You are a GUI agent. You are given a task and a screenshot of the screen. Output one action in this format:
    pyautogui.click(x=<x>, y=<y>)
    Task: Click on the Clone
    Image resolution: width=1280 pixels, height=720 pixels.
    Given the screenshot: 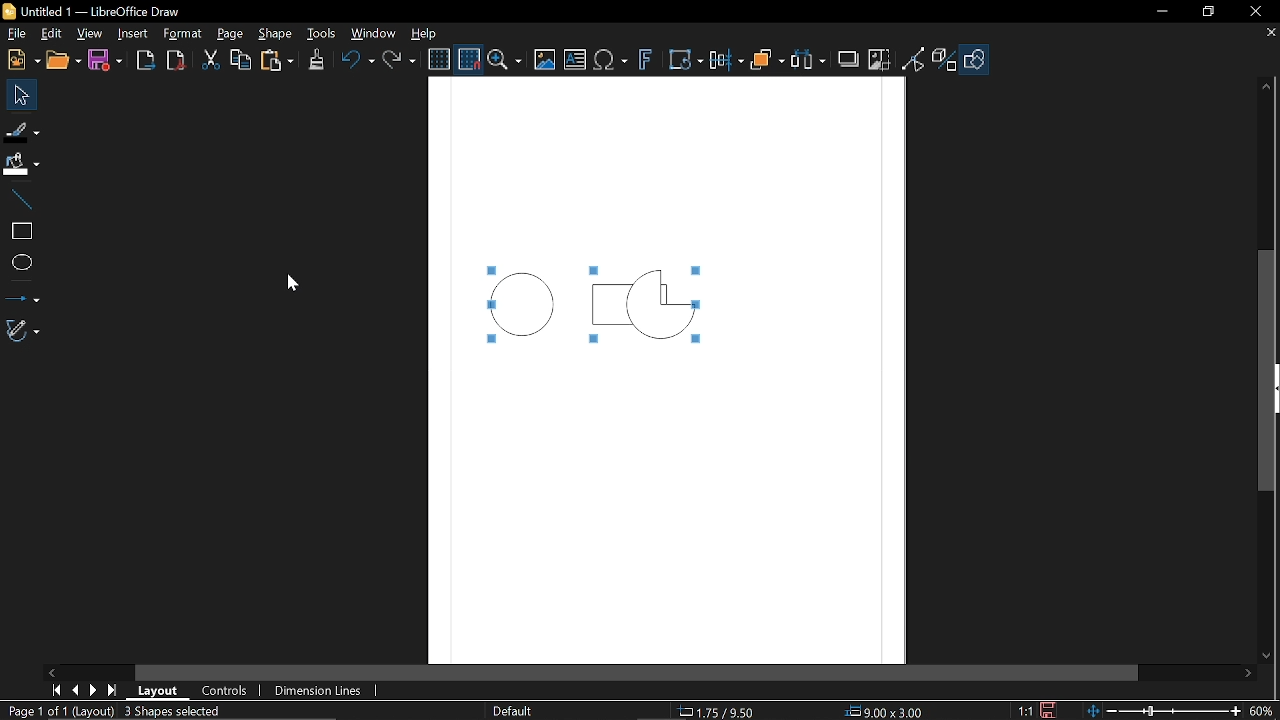 What is the action you would take?
    pyautogui.click(x=315, y=62)
    